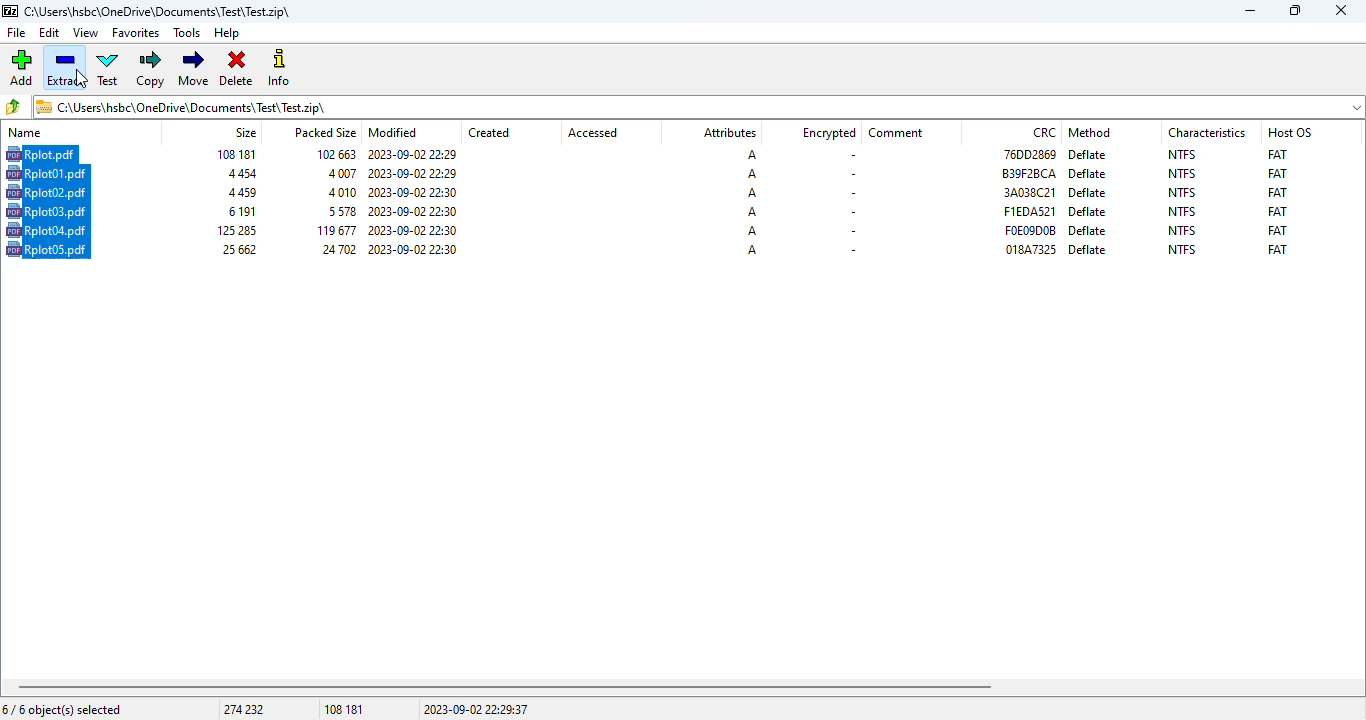 The height and width of the screenshot is (720, 1366). Describe the element at coordinates (413, 248) in the screenshot. I see `modified date & time` at that location.